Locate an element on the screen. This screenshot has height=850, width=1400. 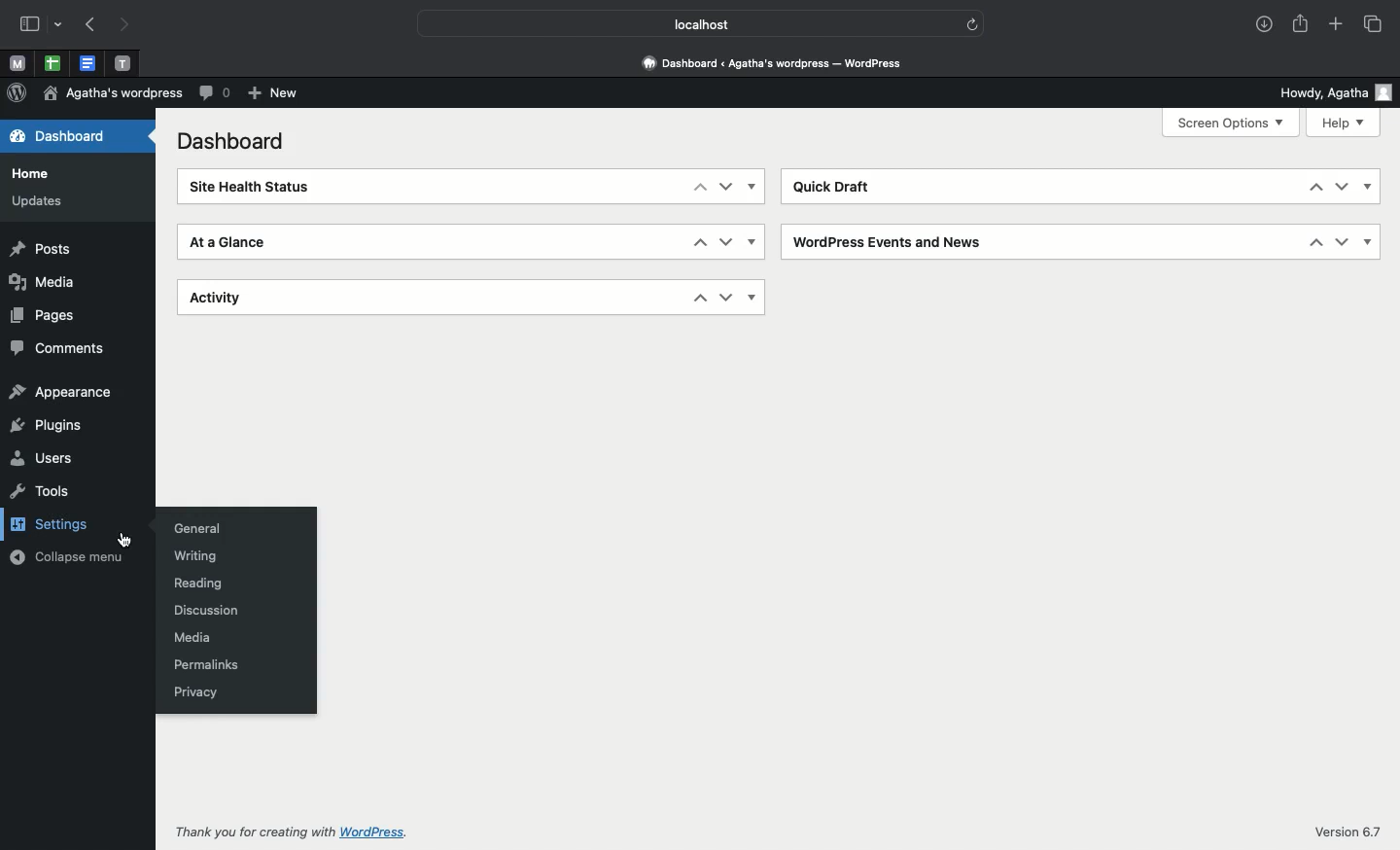
Wordpress name is located at coordinates (115, 92).